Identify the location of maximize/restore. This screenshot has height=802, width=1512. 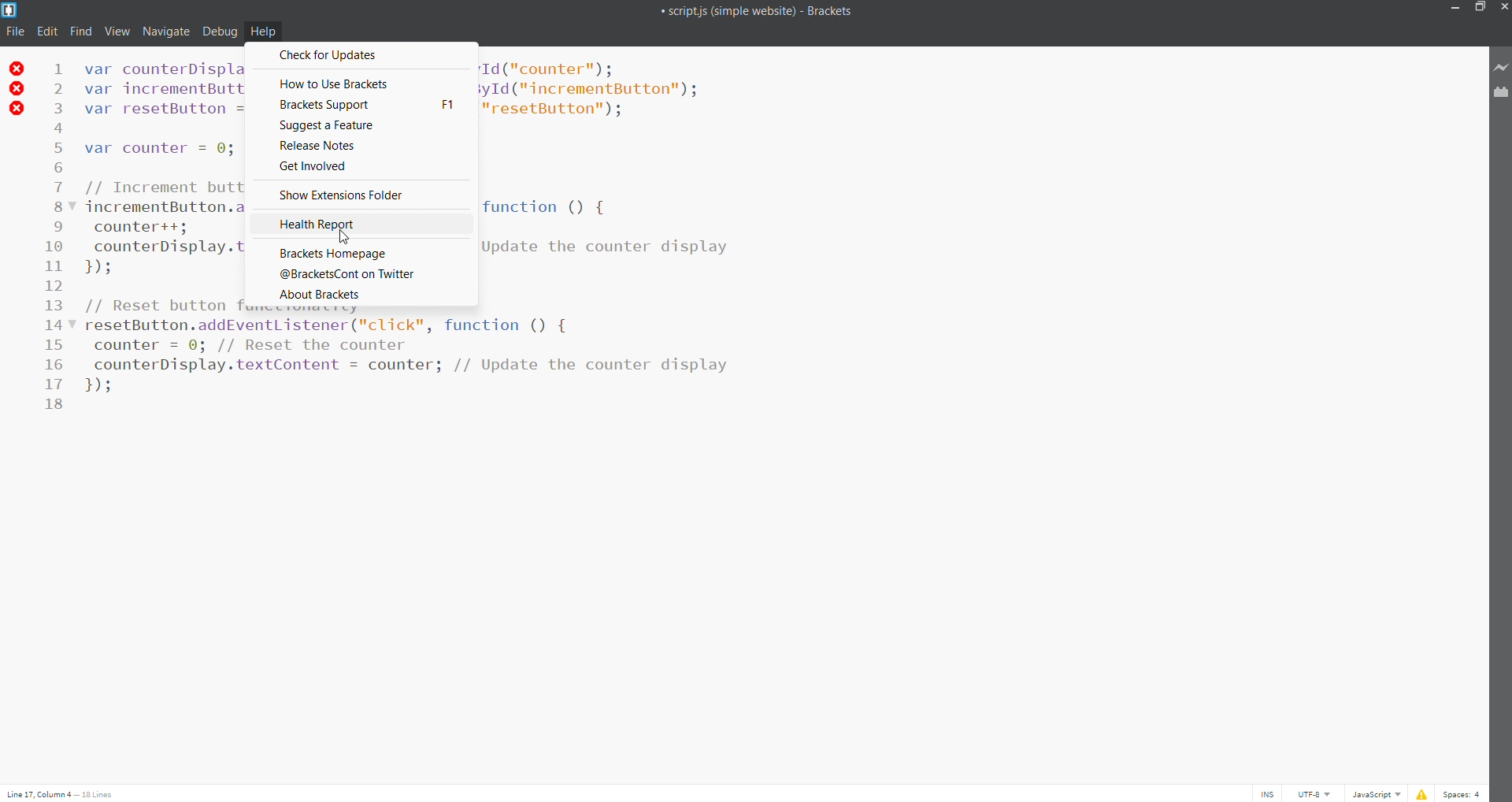
(1479, 9).